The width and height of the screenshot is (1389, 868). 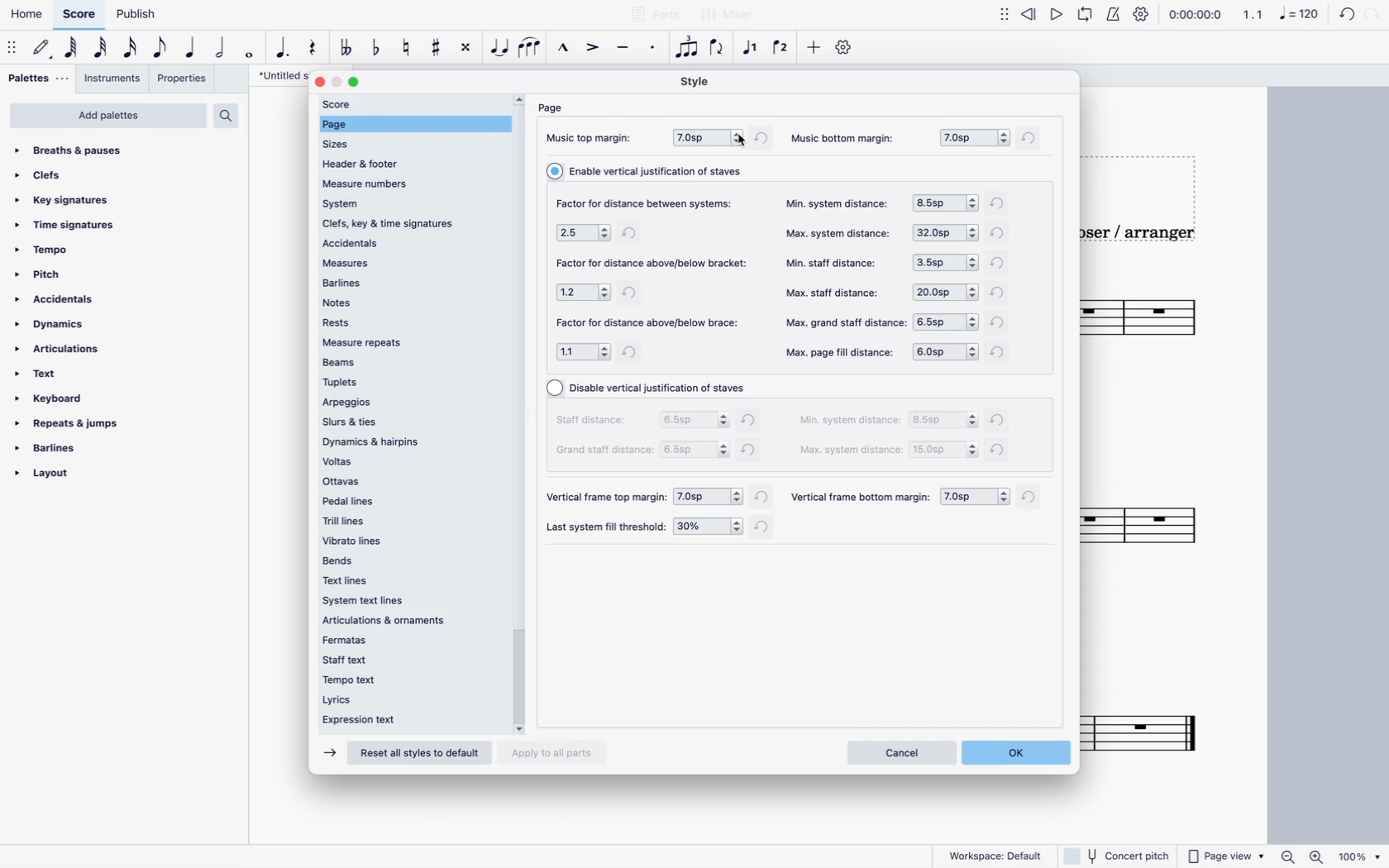 I want to click on factor for distance between systems, so click(x=651, y=201).